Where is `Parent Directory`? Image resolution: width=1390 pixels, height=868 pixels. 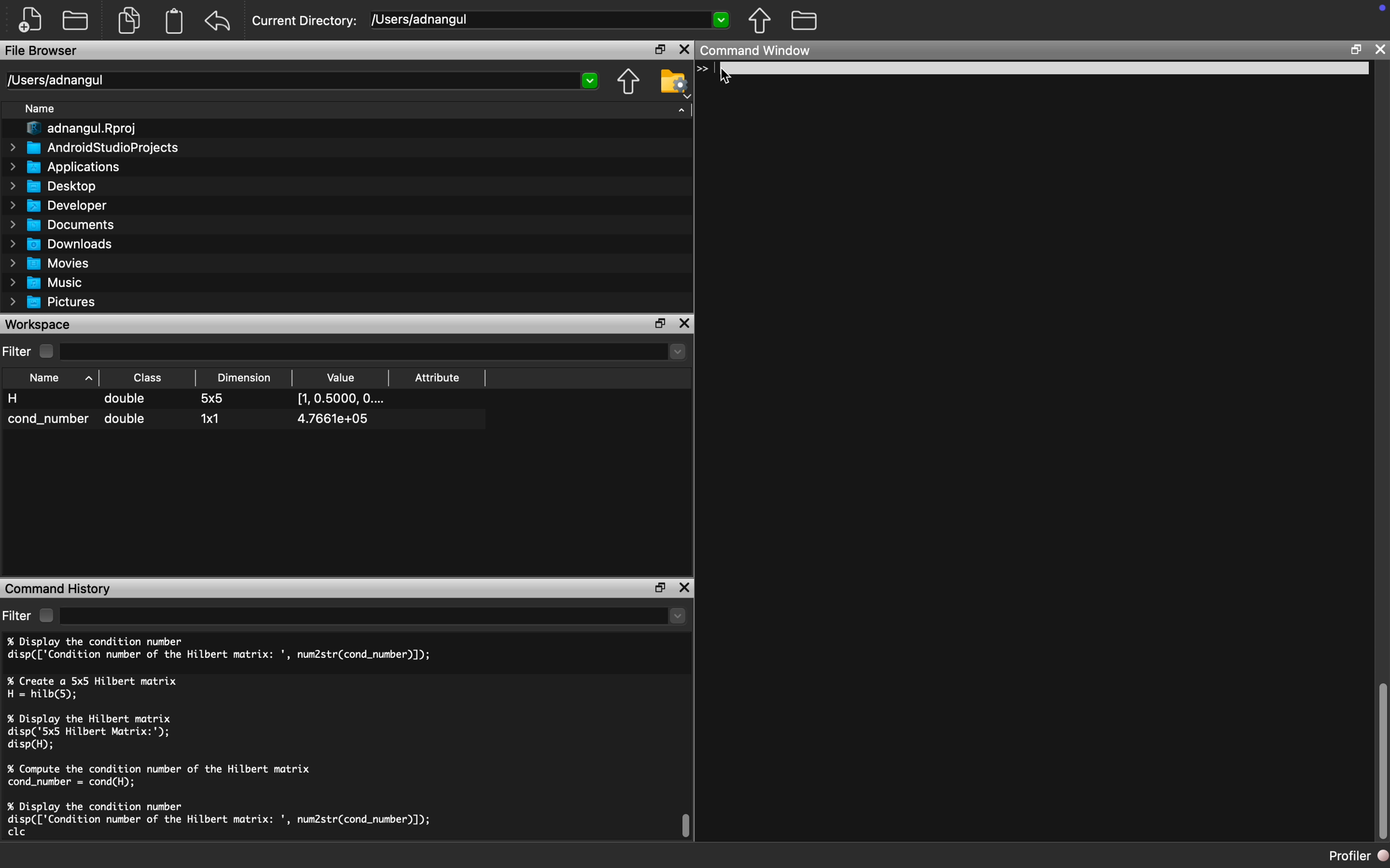
Parent Directory is located at coordinates (629, 81).